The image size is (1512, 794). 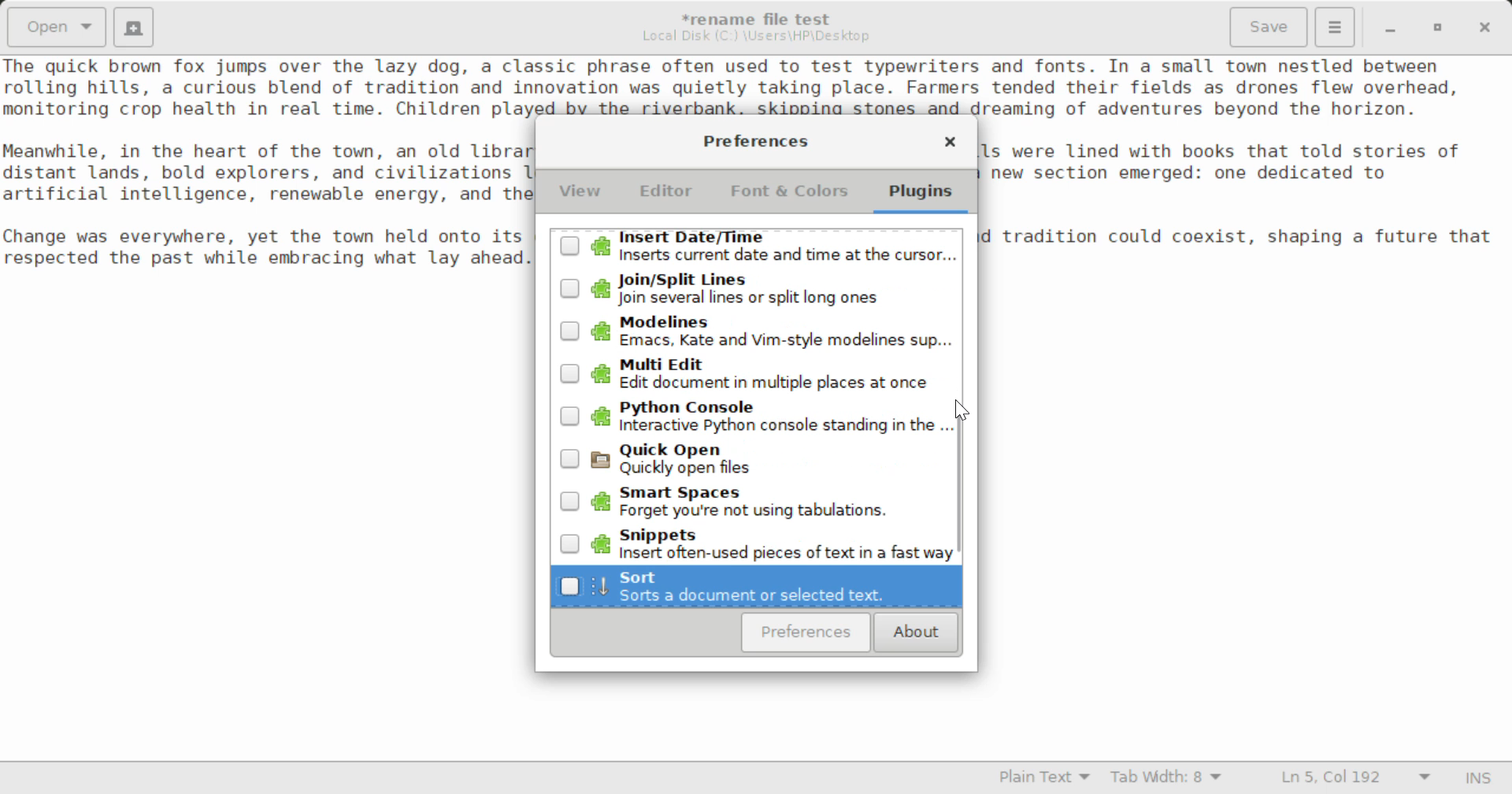 I want to click on Python Console Plugin Button Unselected, so click(x=754, y=418).